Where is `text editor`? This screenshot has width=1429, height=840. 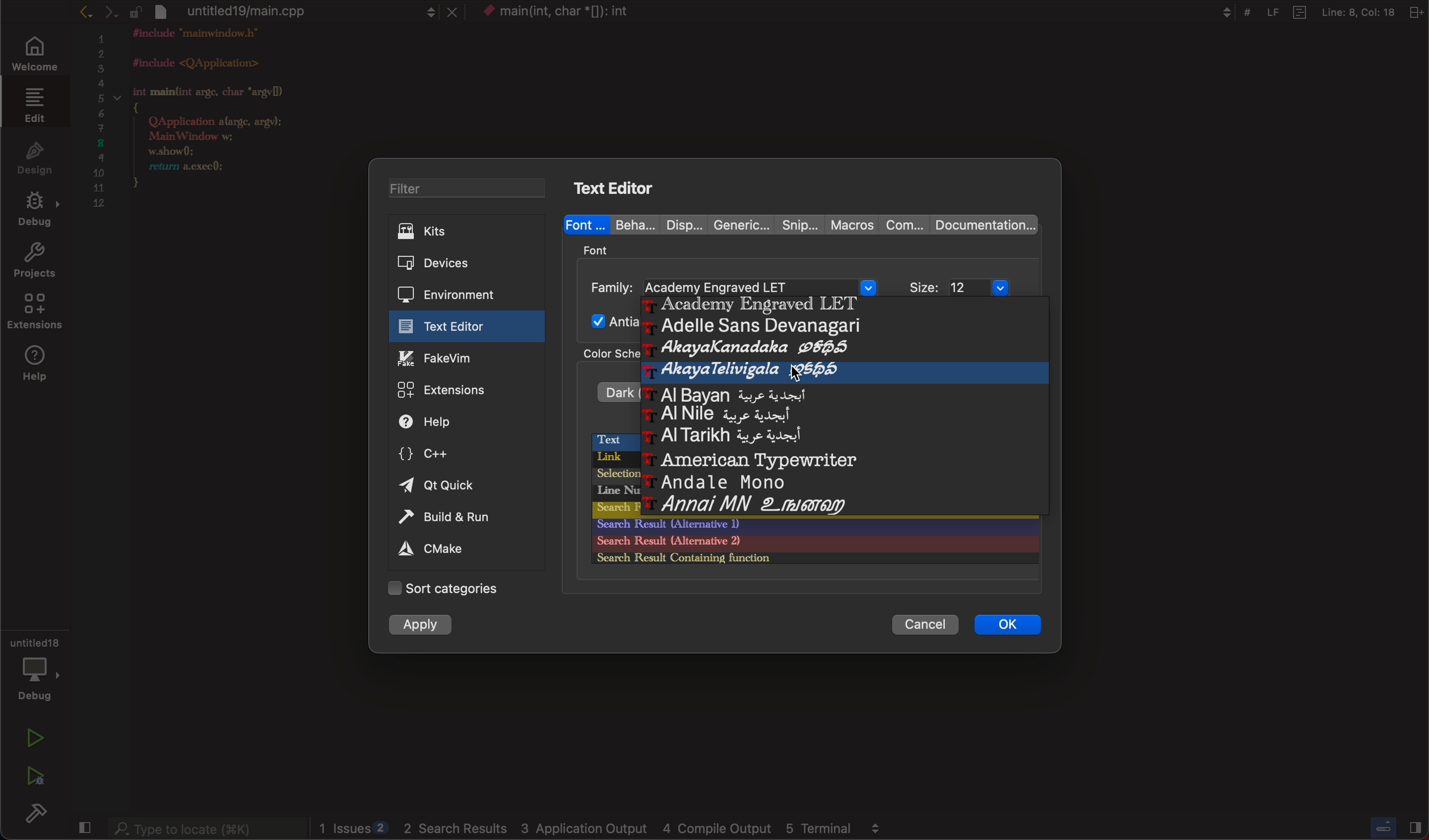
text editor is located at coordinates (620, 186).